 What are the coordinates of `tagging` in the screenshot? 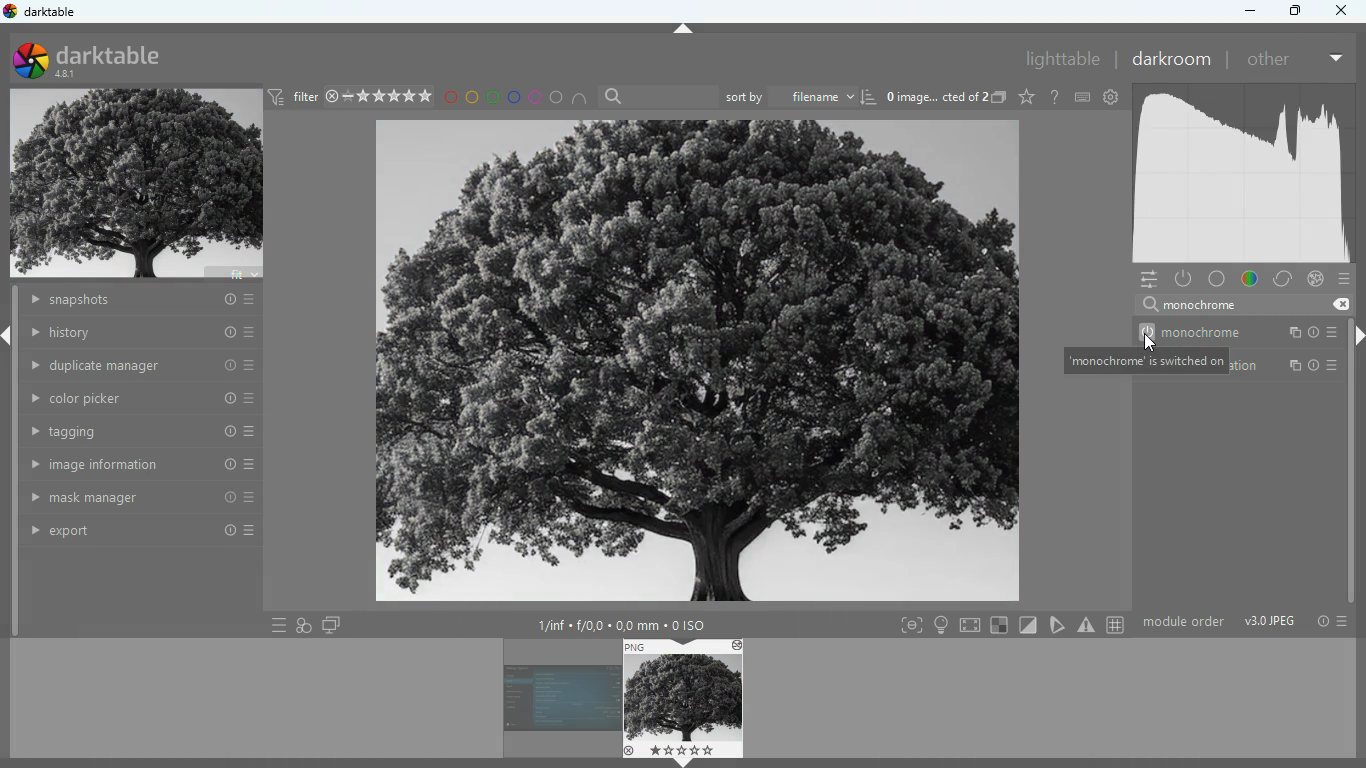 It's located at (143, 433).